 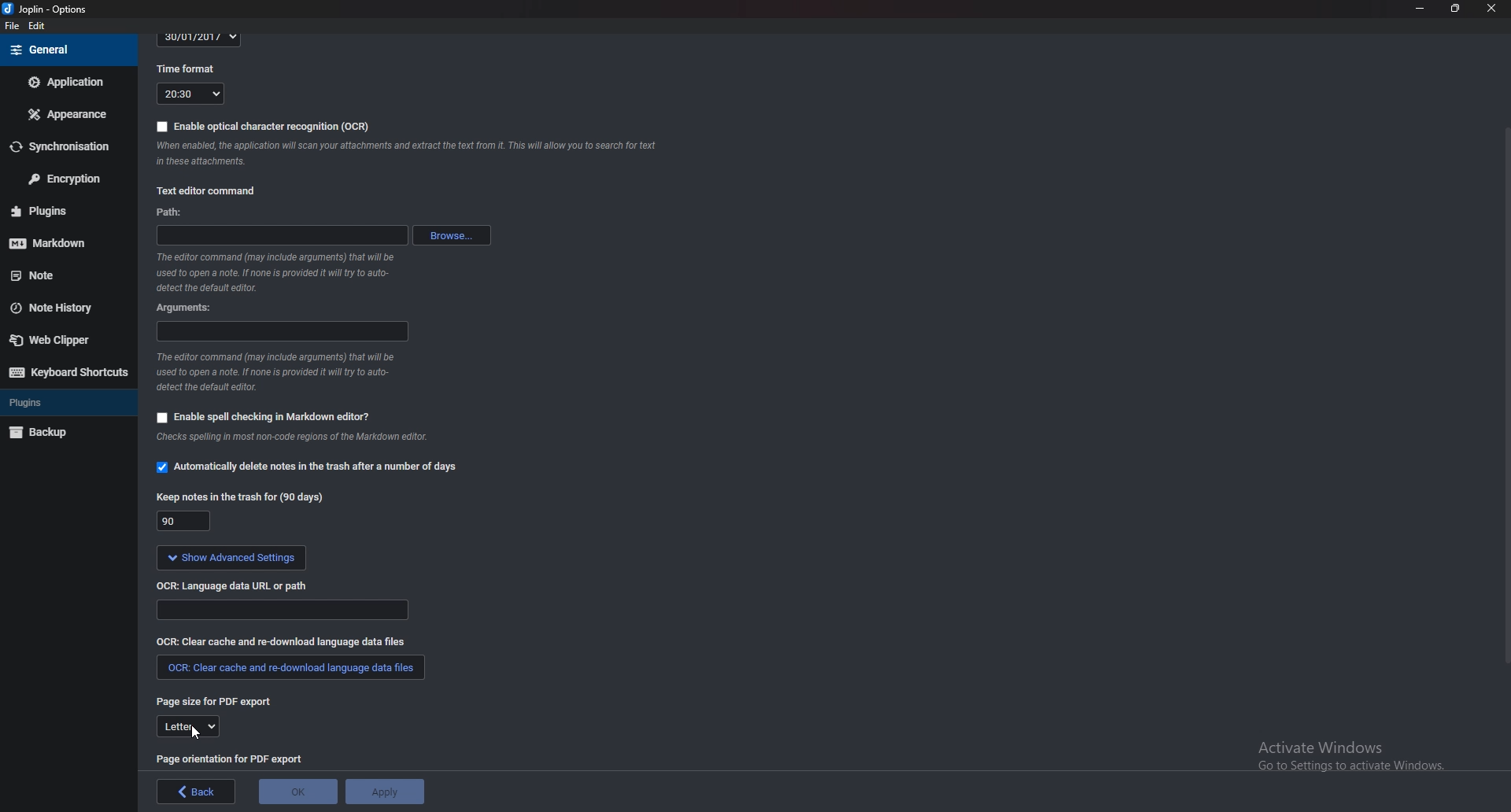 What do you see at coordinates (264, 127) in the screenshot?
I see `Enable O C R` at bounding box center [264, 127].